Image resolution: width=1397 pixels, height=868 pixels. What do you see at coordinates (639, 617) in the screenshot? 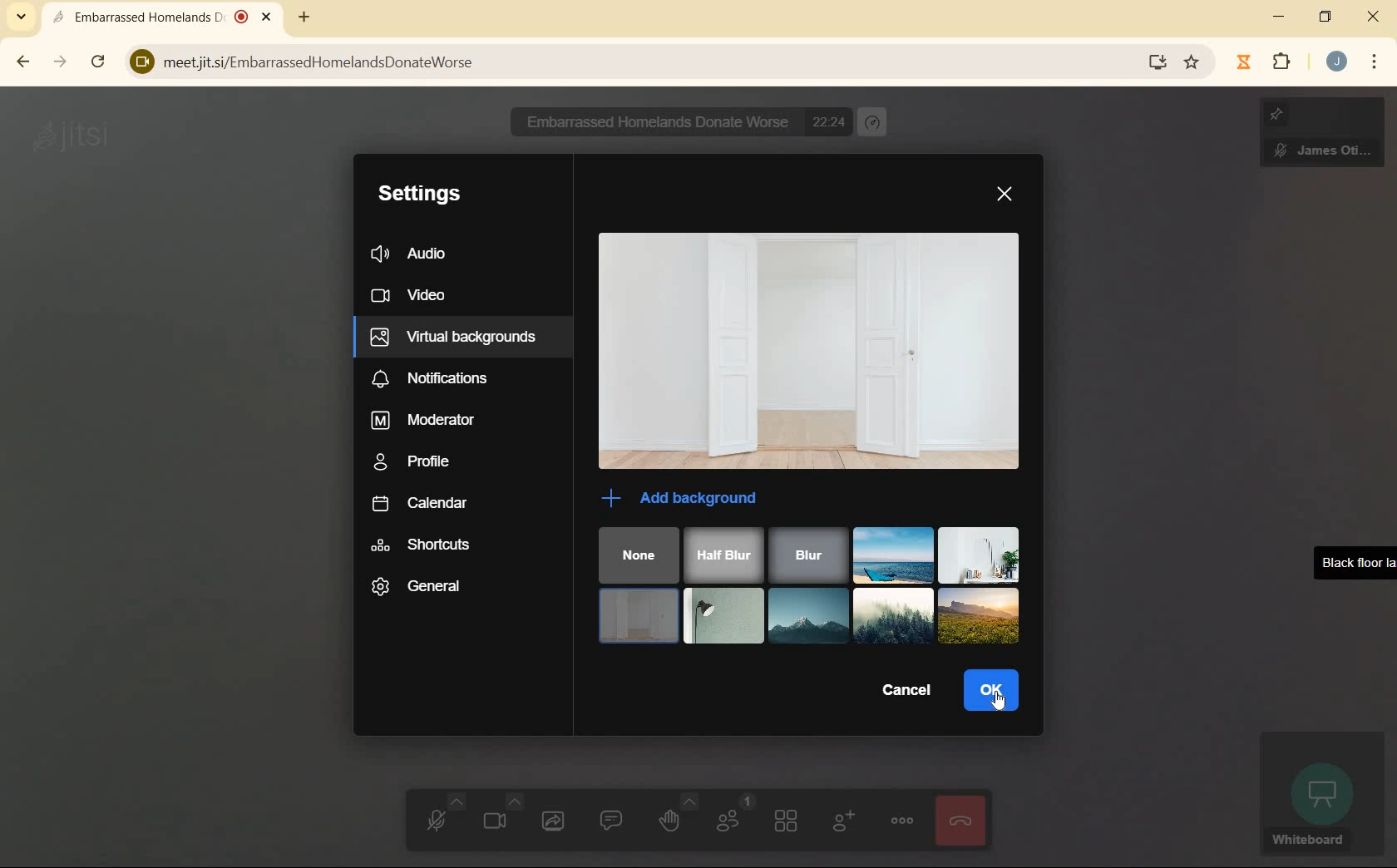
I see `white empty room` at bounding box center [639, 617].